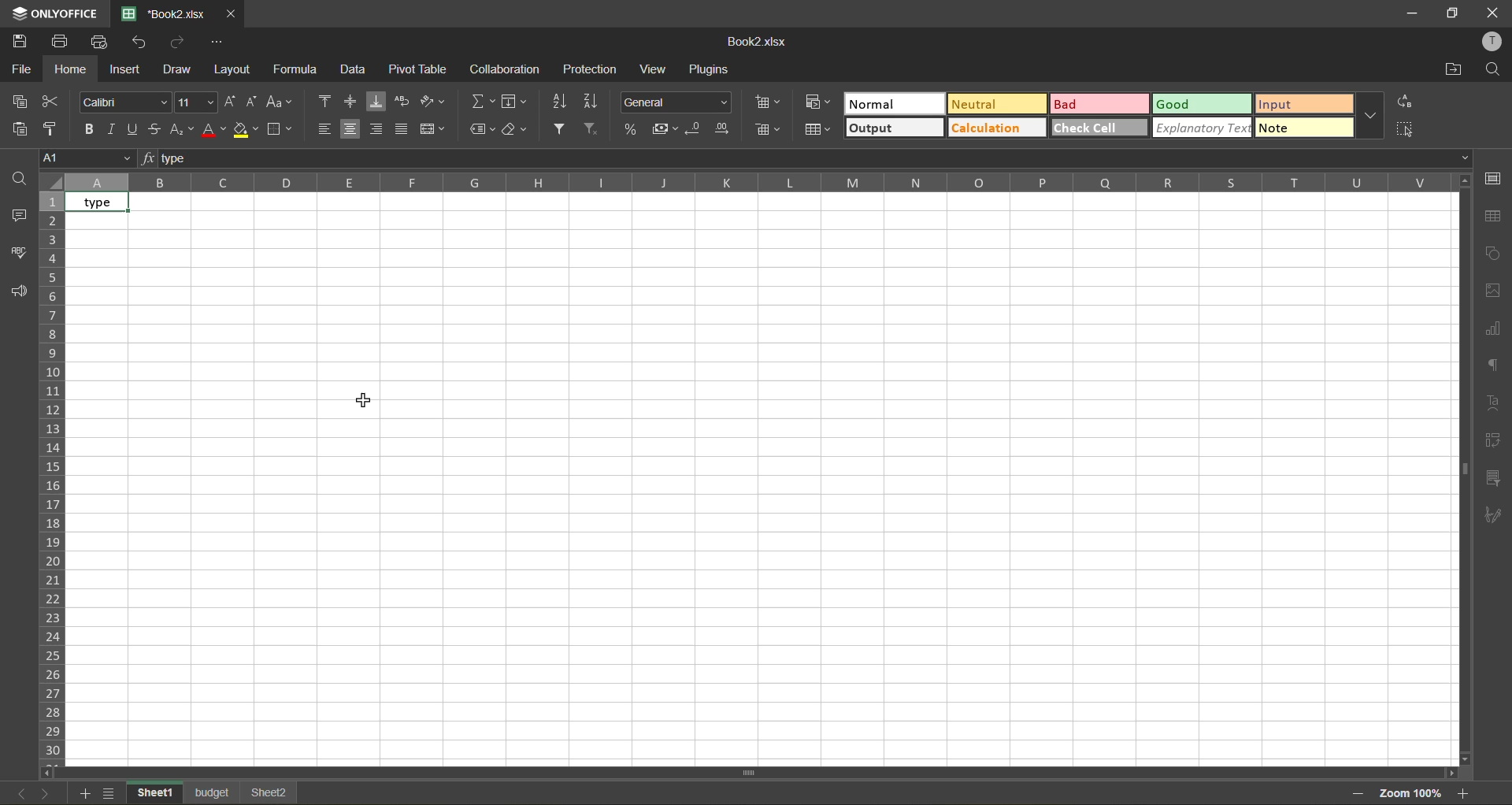 This screenshot has height=805, width=1512. What do you see at coordinates (1414, 795) in the screenshot?
I see `zoom factor` at bounding box center [1414, 795].